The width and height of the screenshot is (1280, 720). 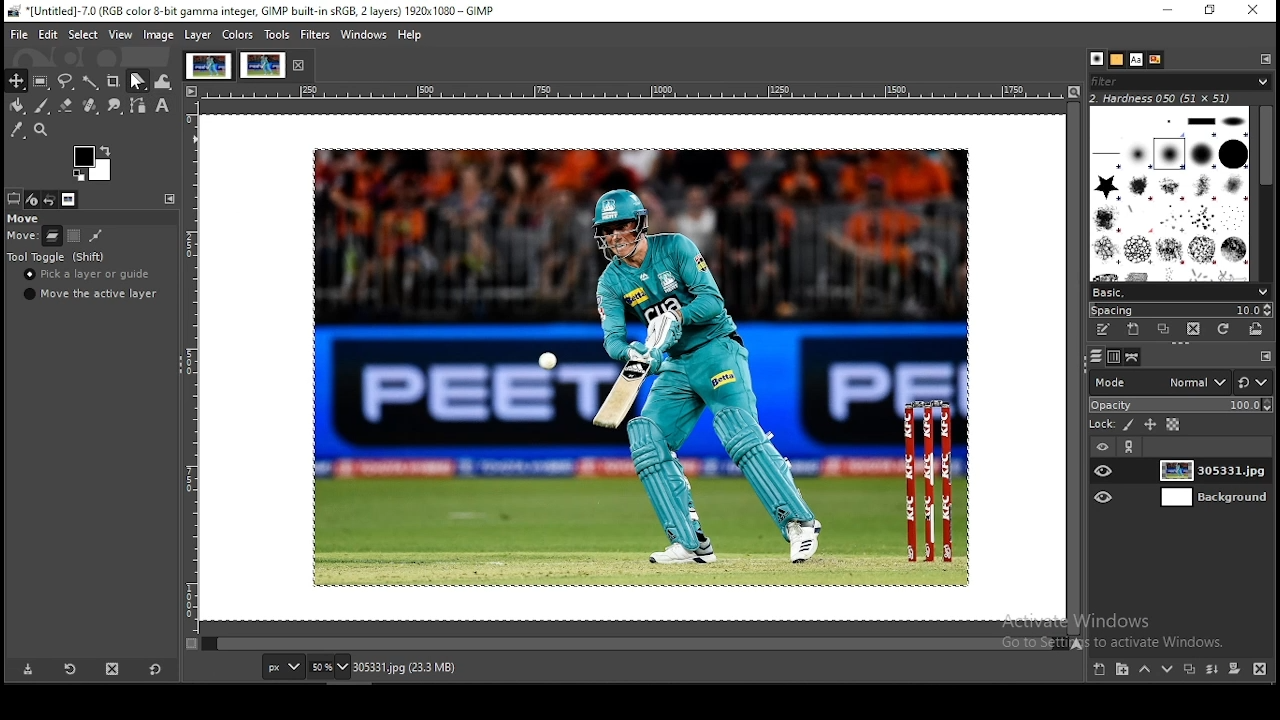 What do you see at coordinates (32, 200) in the screenshot?
I see `device status` at bounding box center [32, 200].